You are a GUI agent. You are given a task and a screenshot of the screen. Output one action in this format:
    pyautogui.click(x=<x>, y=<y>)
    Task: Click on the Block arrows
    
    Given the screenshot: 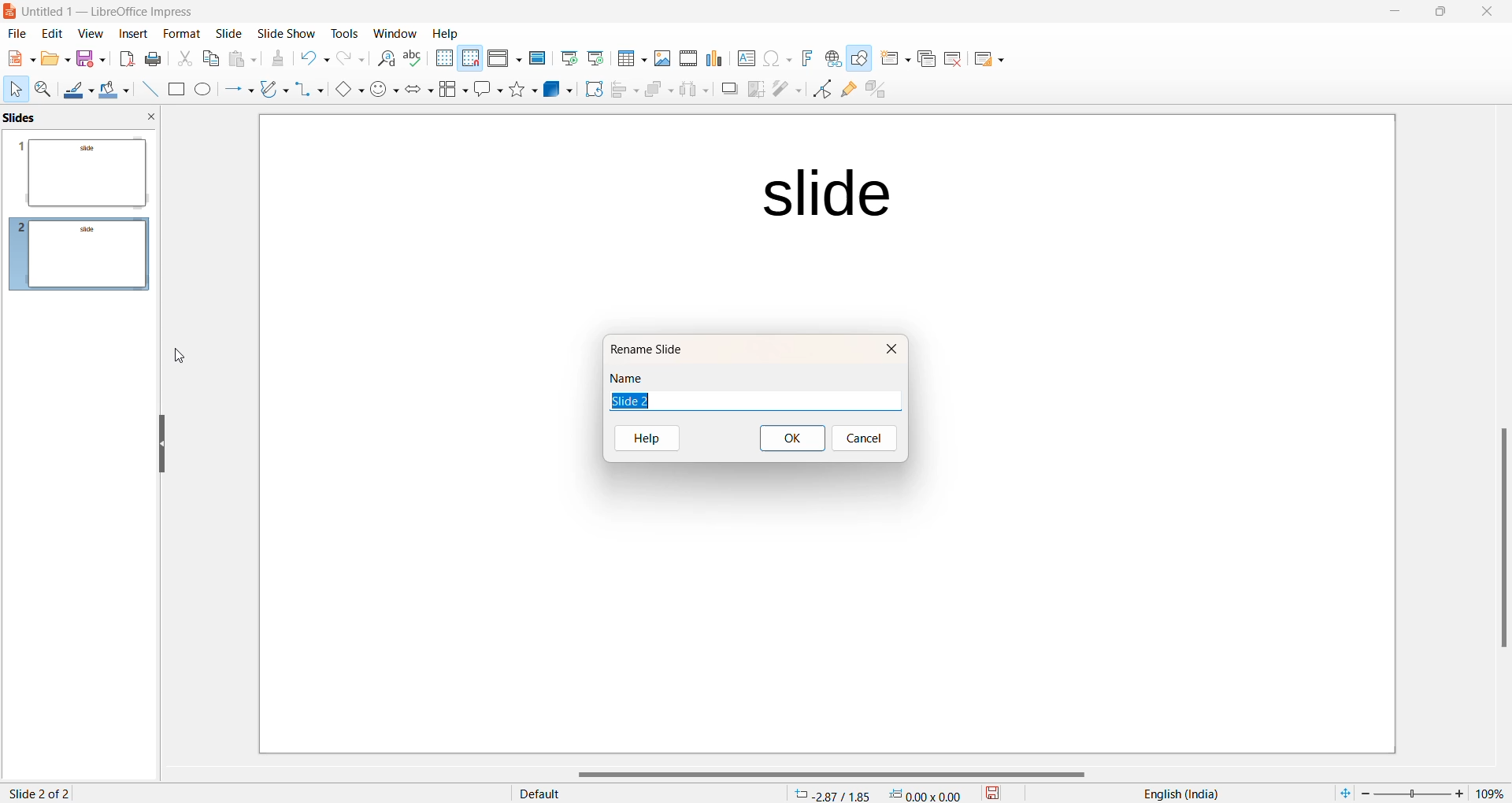 What is the action you would take?
    pyautogui.click(x=417, y=91)
    